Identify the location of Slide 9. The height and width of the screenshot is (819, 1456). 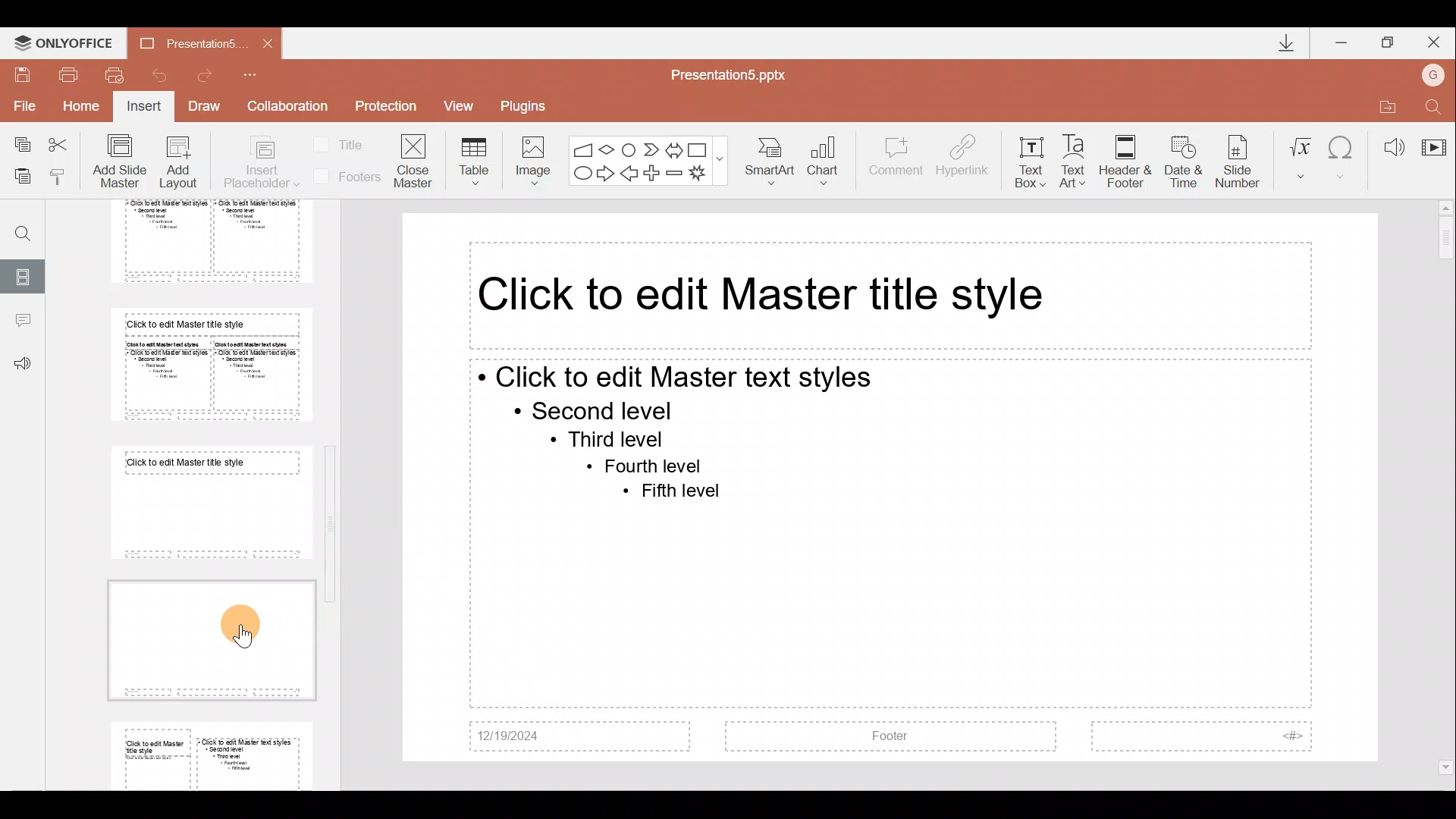
(215, 753).